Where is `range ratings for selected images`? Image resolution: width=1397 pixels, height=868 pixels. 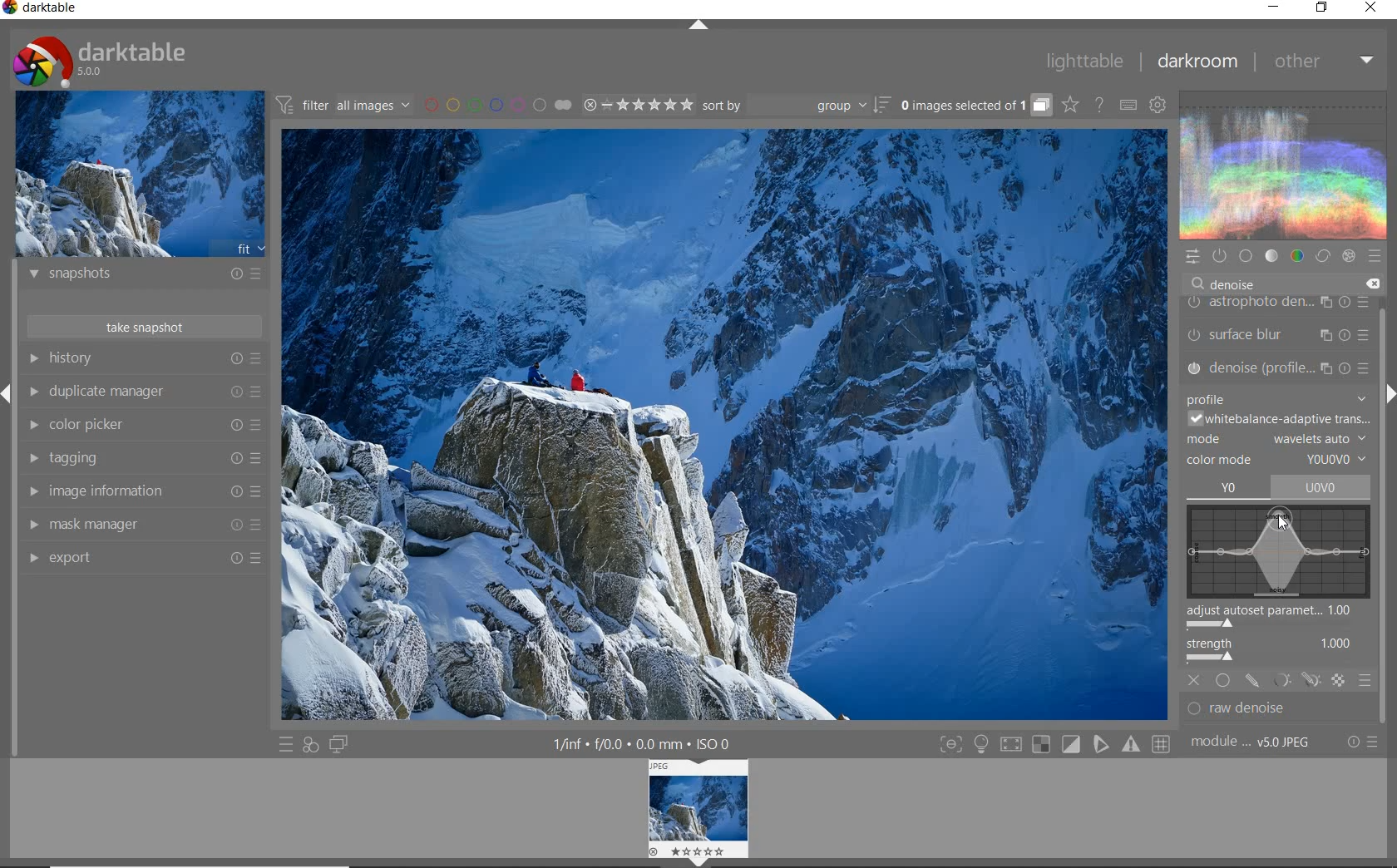 range ratings for selected images is located at coordinates (639, 105).